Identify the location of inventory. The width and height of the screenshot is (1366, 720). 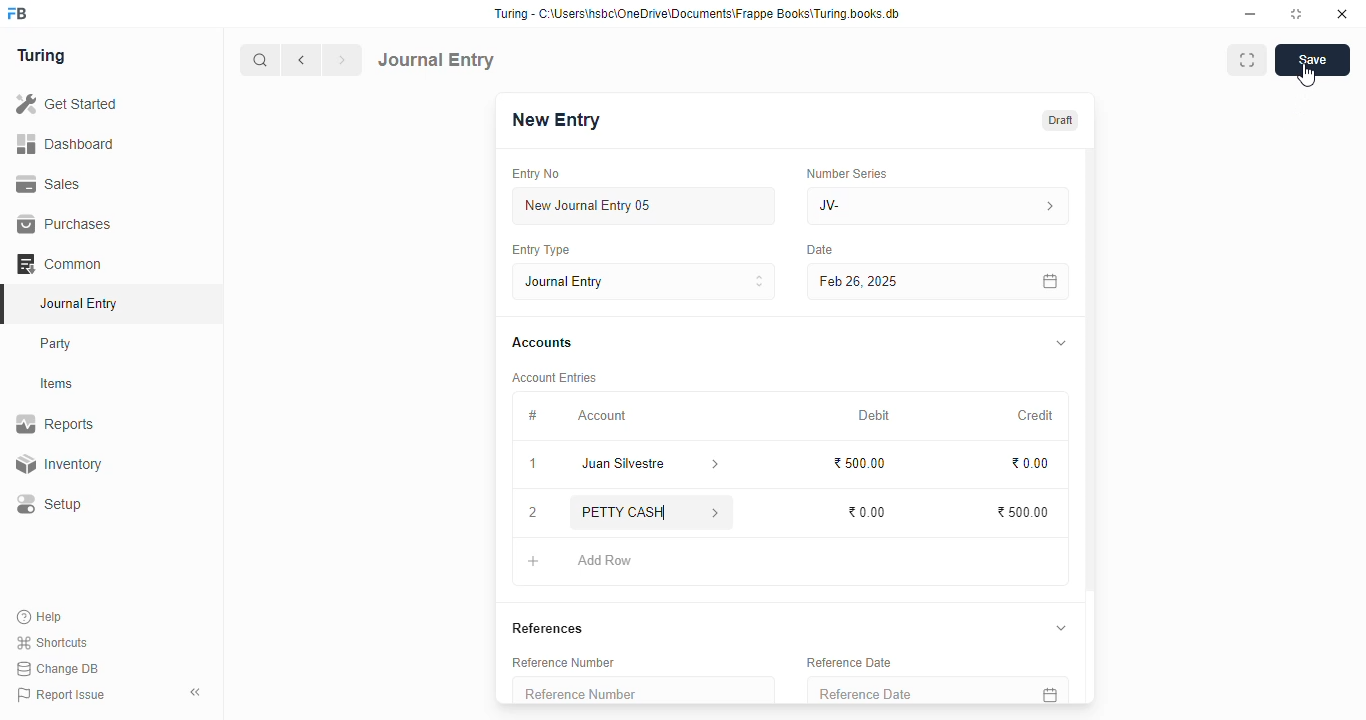
(58, 464).